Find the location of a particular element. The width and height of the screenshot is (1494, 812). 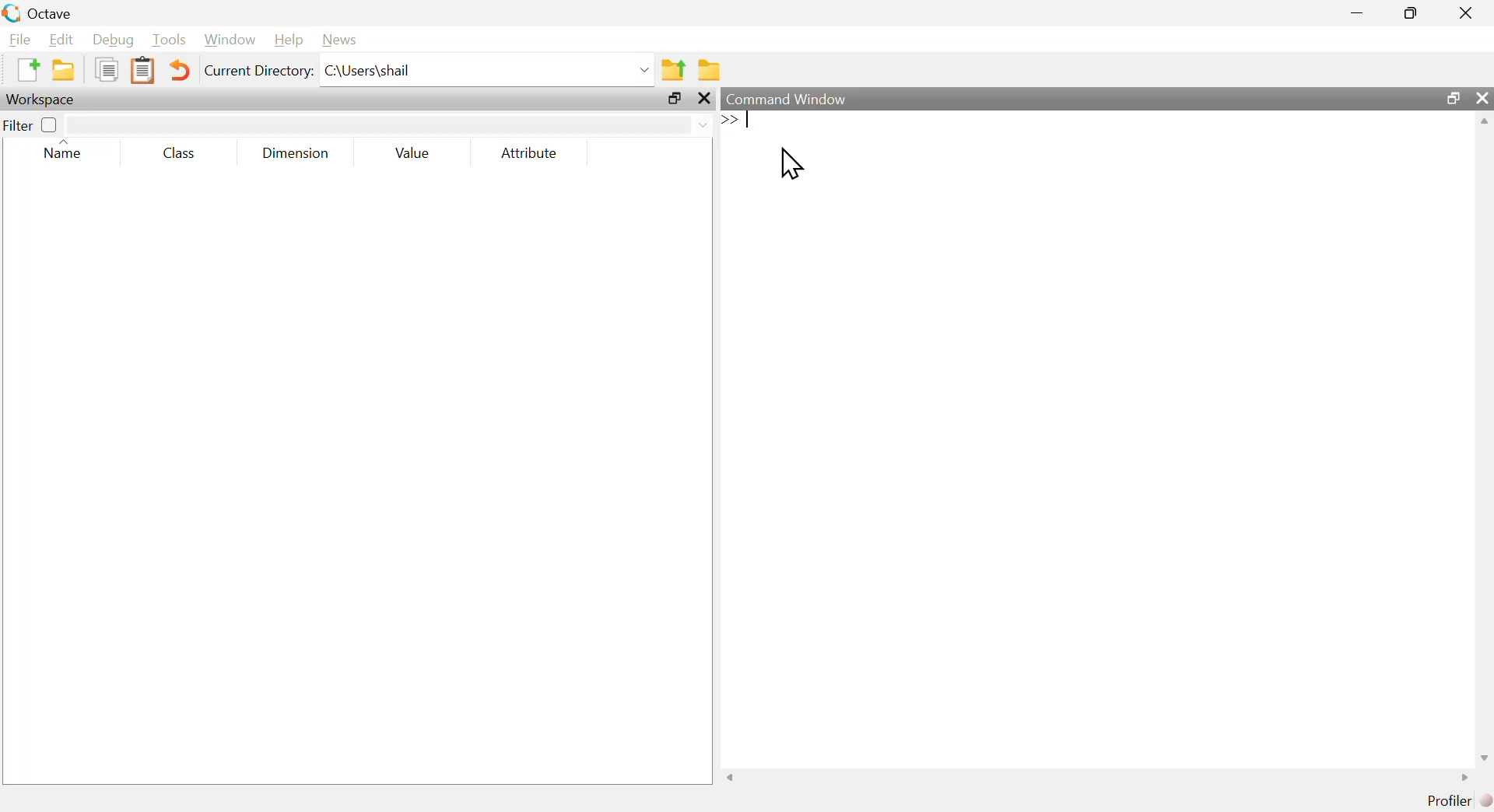

C\Users\shail  is located at coordinates (488, 70).